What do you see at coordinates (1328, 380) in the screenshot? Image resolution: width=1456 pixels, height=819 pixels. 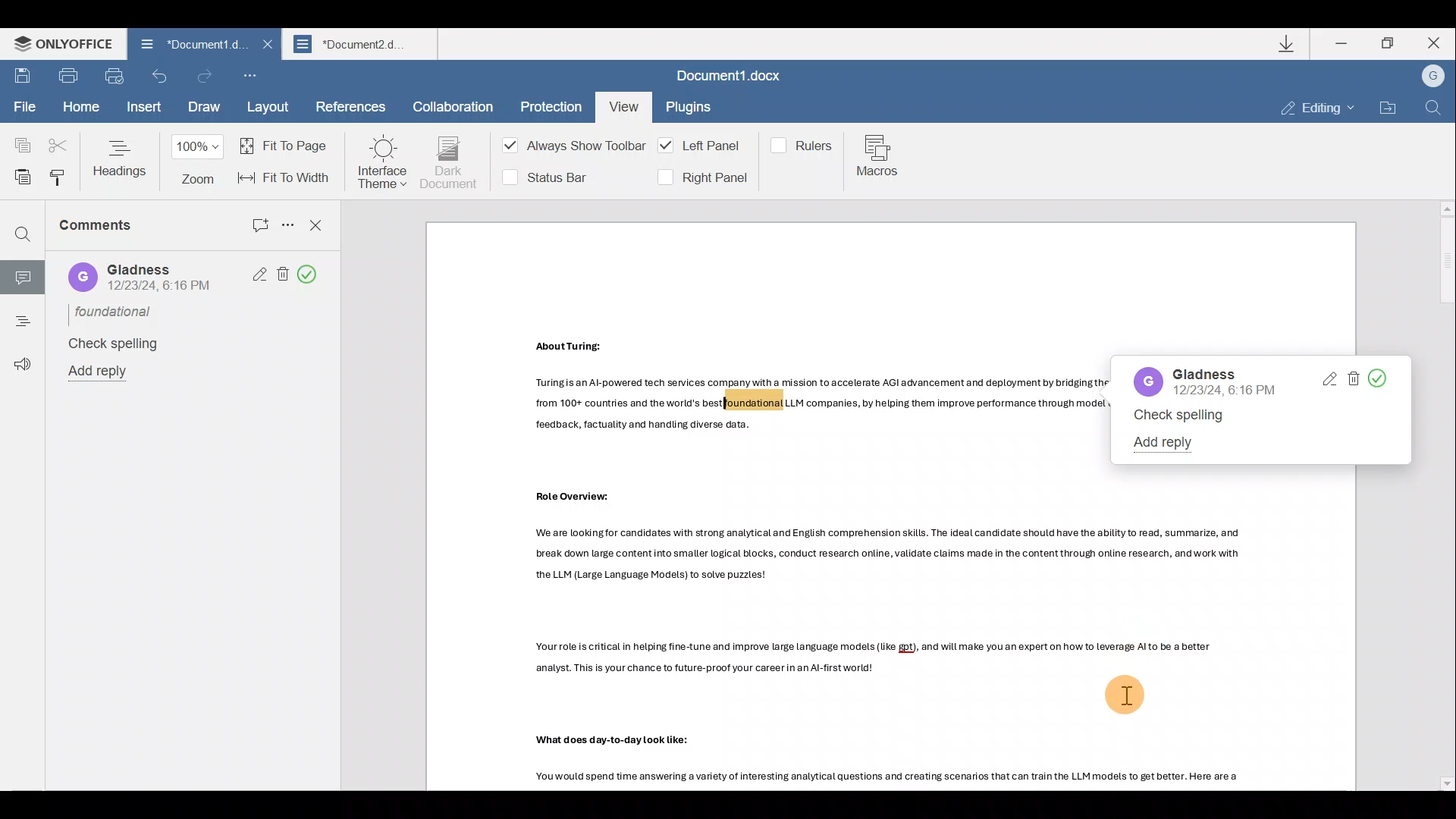 I see `Edit` at bounding box center [1328, 380].